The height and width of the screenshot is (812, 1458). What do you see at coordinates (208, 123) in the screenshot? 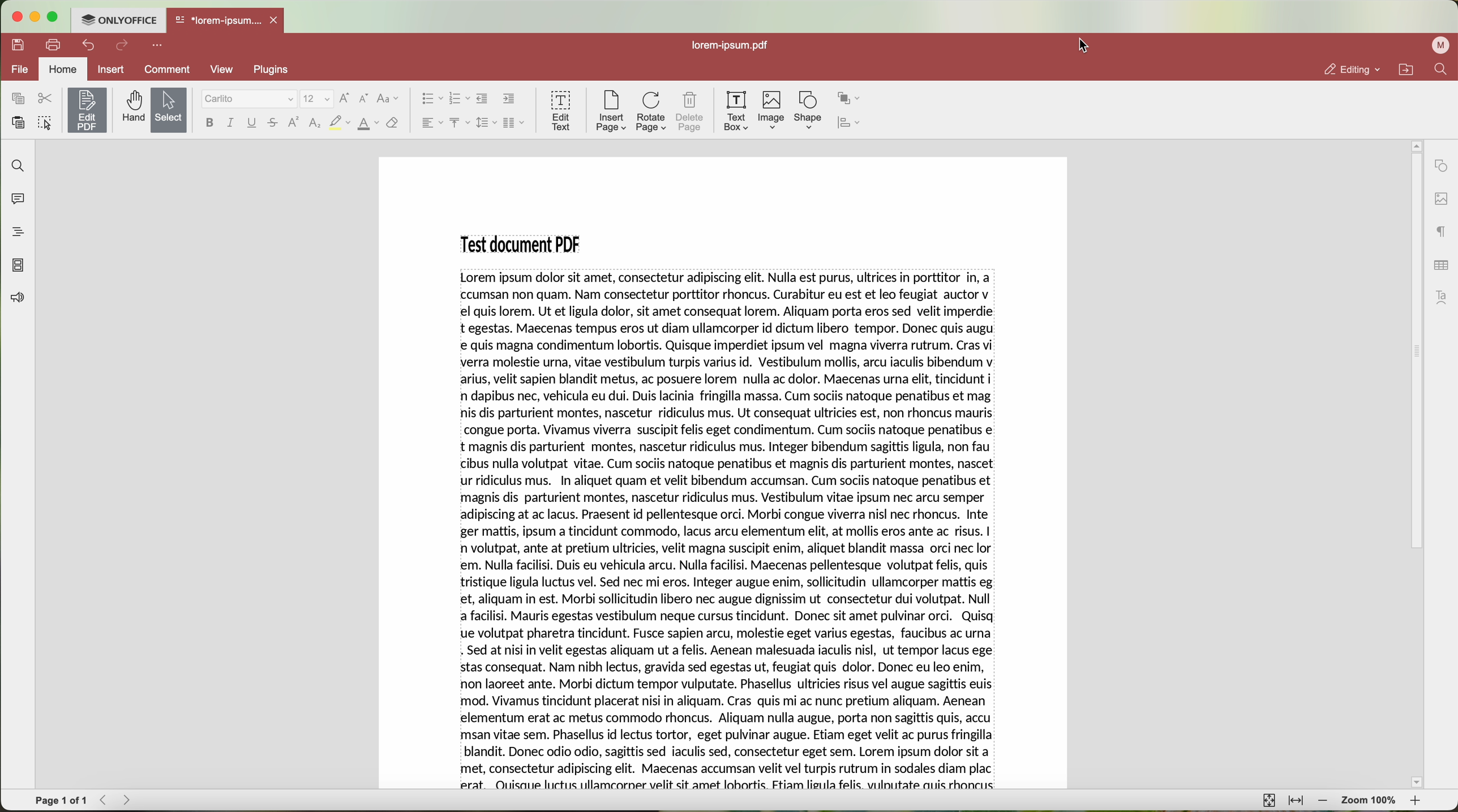
I see `bold` at bounding box center [208, 123].